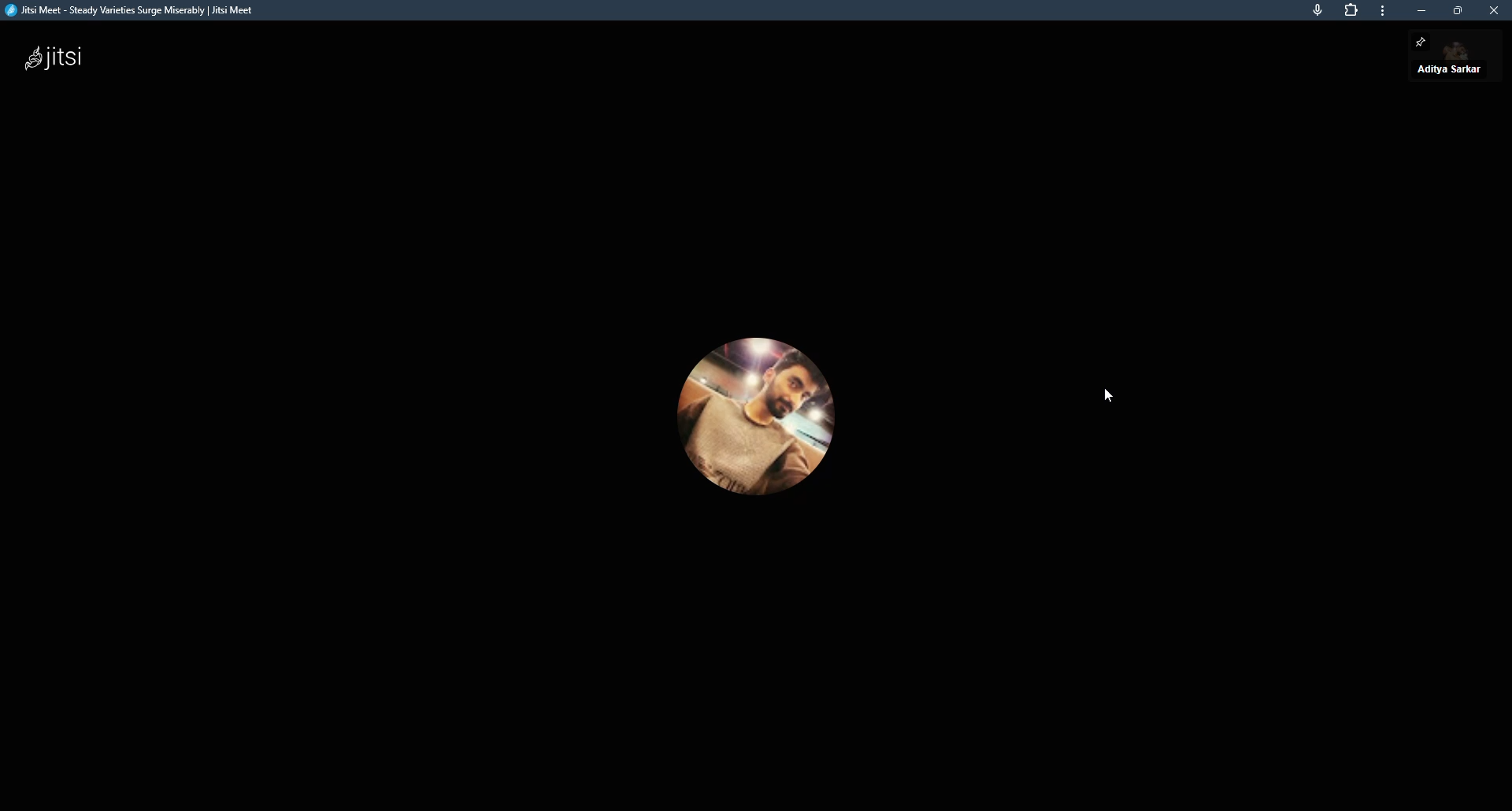  Describe the element at coordinates (1110, 392) in the screenshot. I see `cursor` at that location.